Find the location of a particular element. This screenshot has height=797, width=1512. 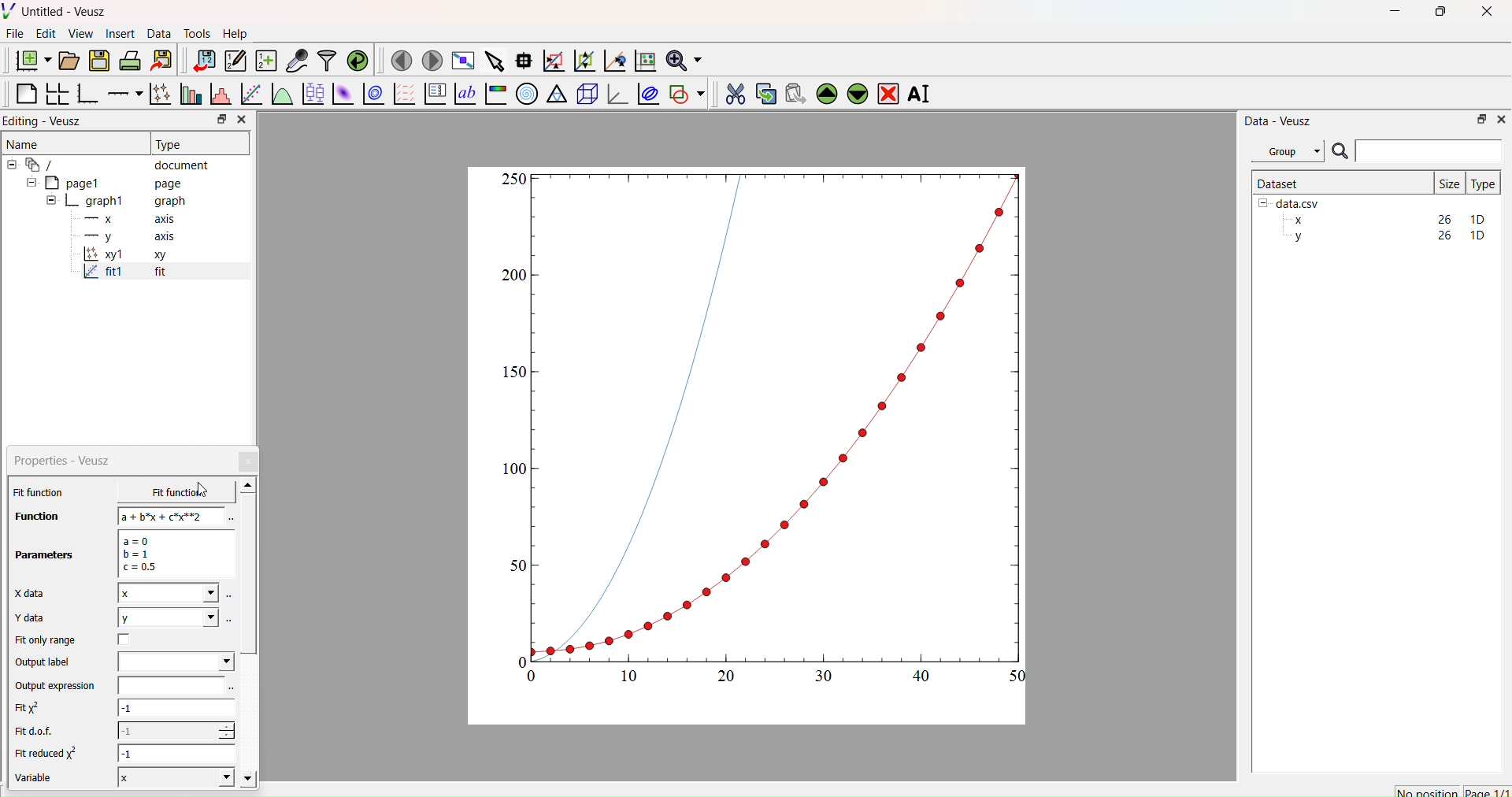

Close is located at coordinates (1488, 16).